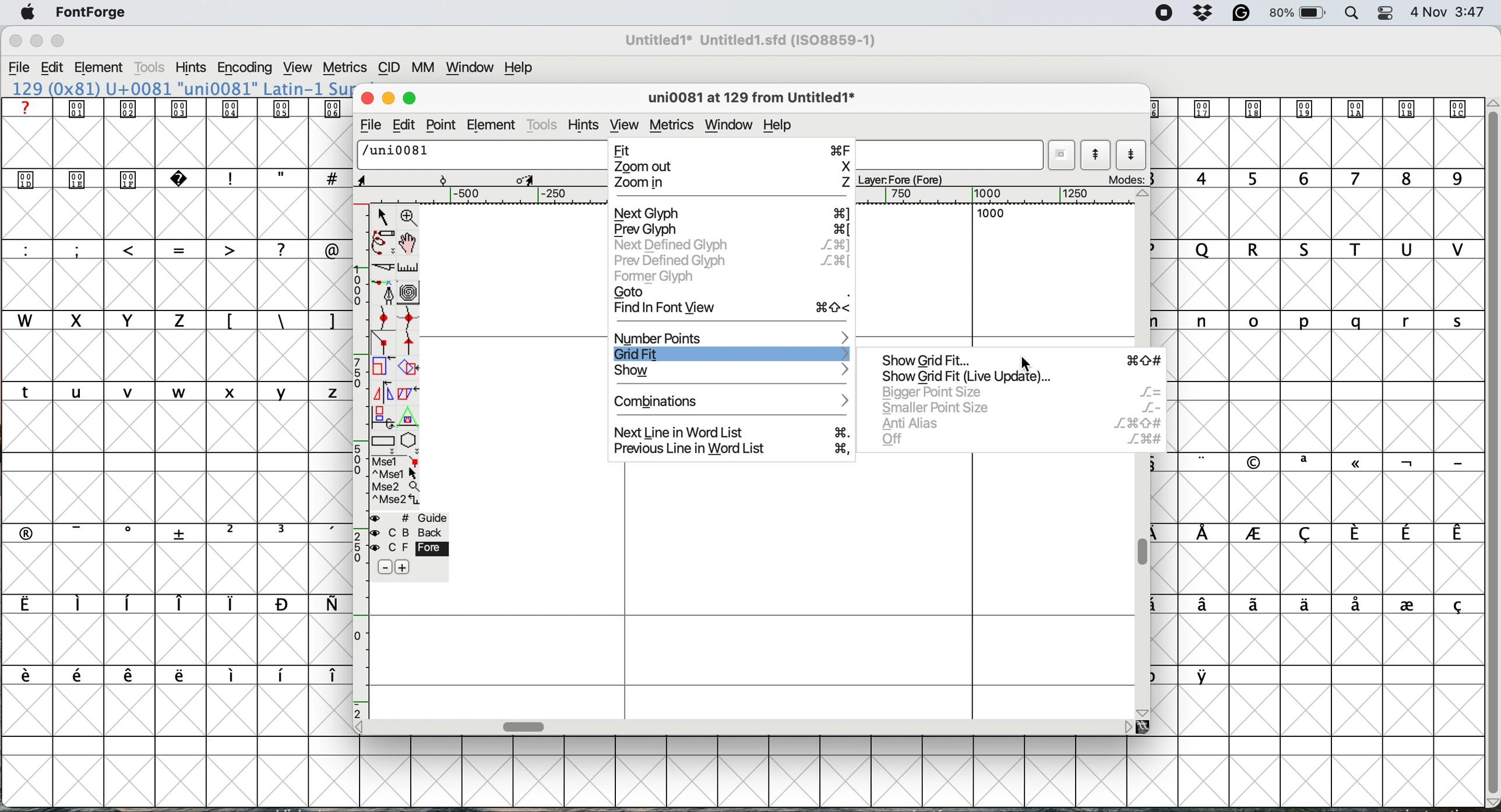 The image size is (1501, 812). What do you see at coordinates (584, 124) in the screenshot?
I see `hints` at bounding box center [584, 124].